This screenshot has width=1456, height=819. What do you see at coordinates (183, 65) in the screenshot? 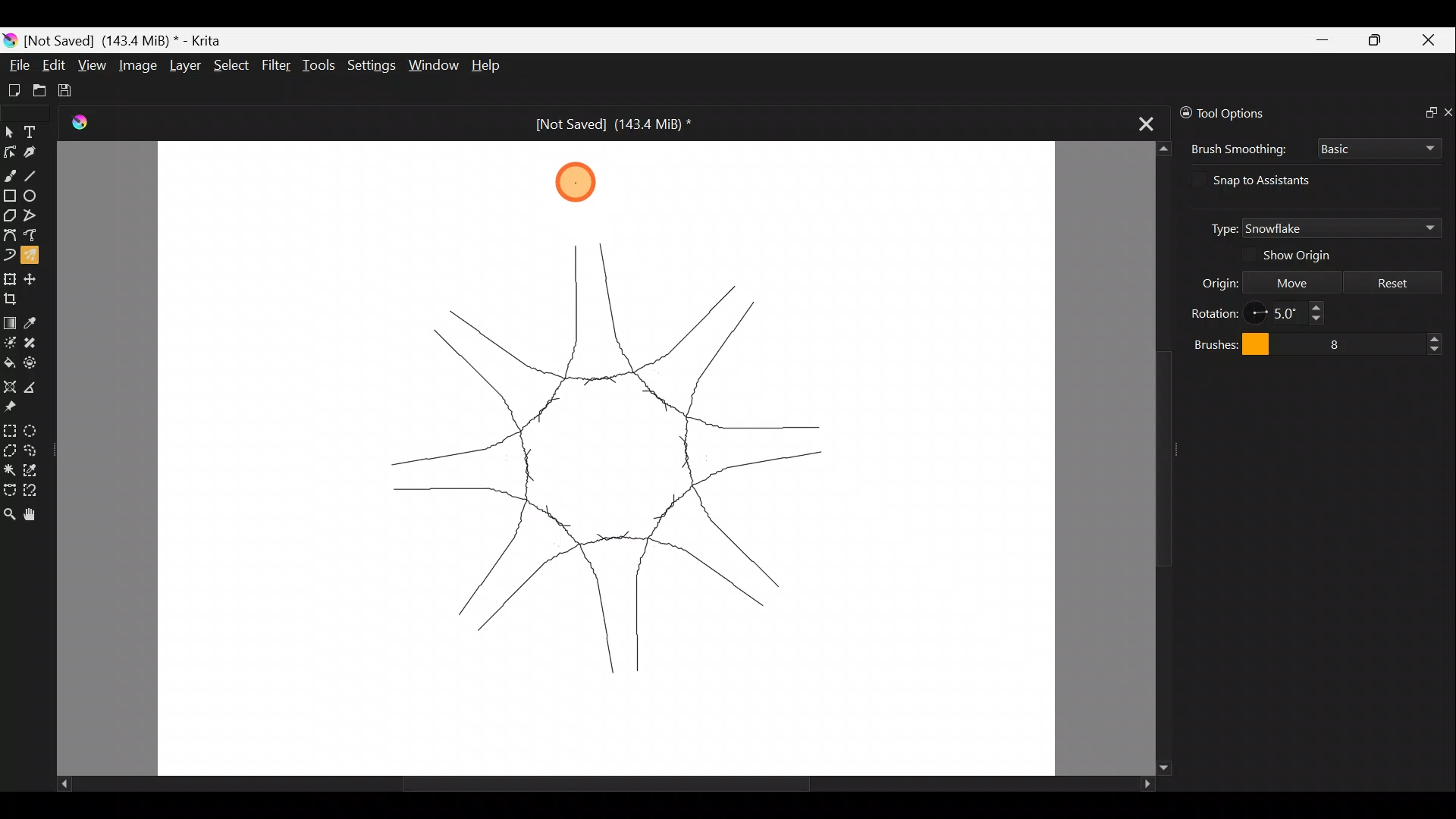
I see `Layer` at bounding box center [183, 65].